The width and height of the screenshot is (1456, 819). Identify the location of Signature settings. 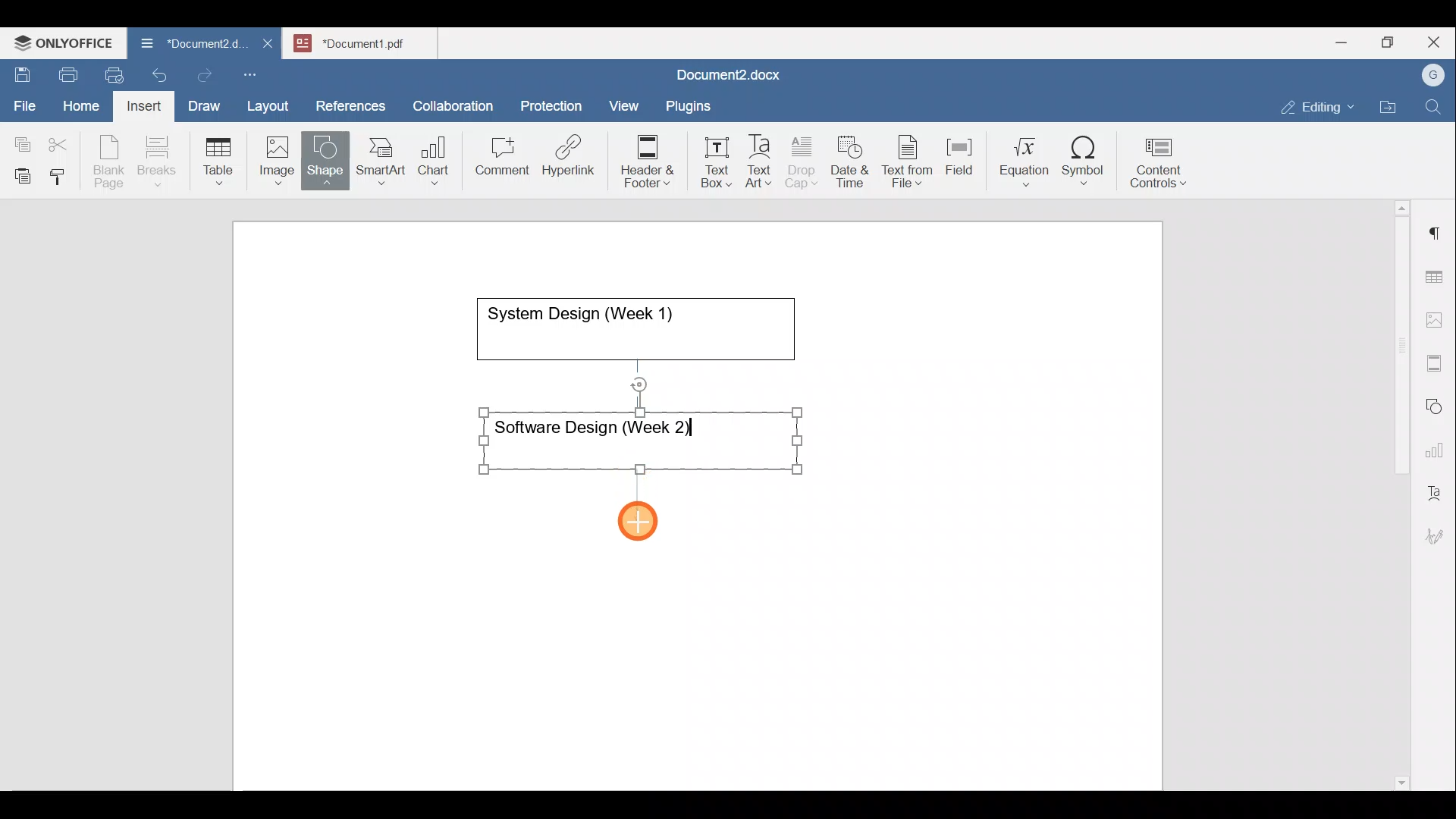
(1439, 531).